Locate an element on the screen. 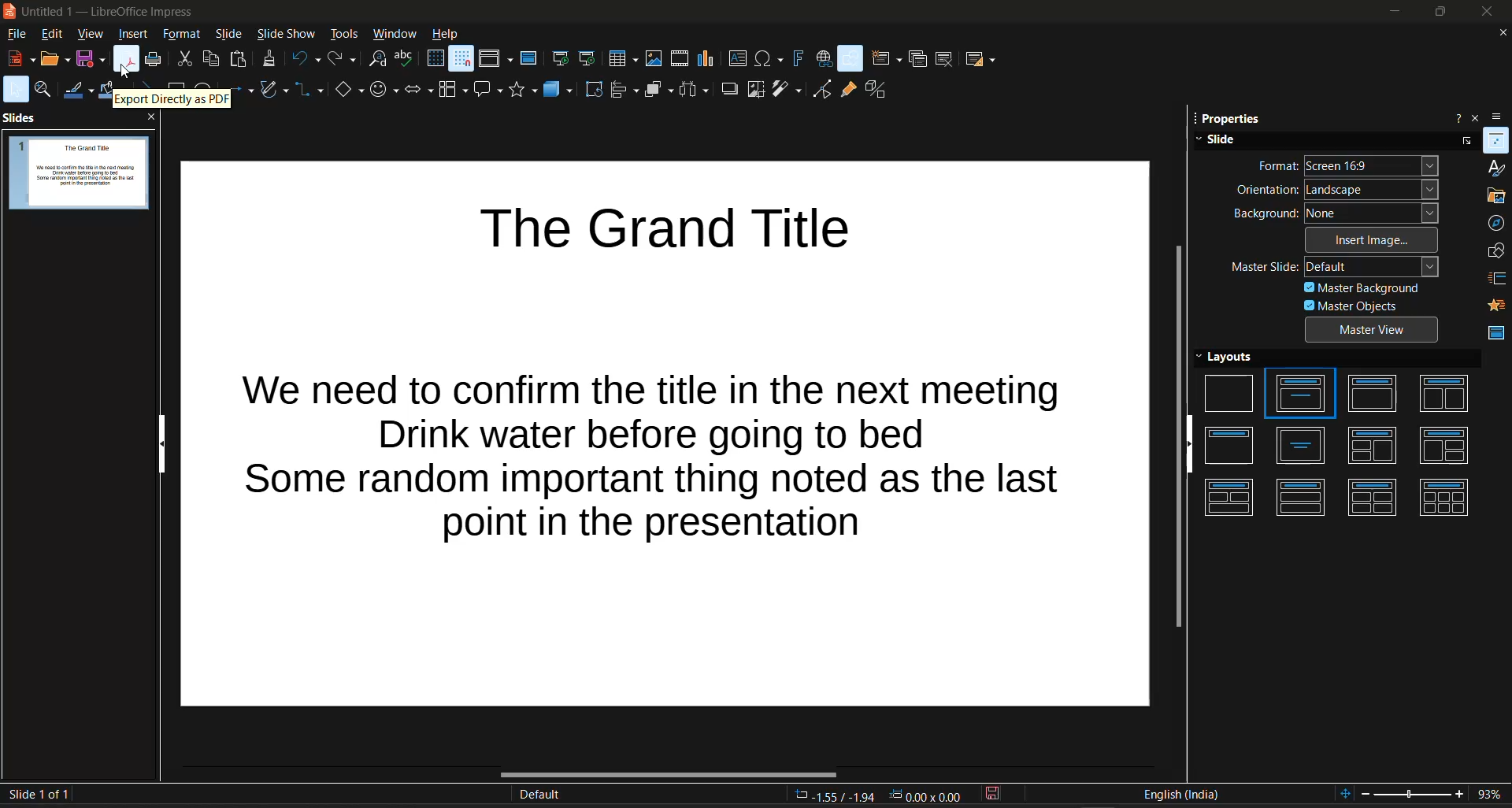  start from first slide is located at coordinates (561, 57).